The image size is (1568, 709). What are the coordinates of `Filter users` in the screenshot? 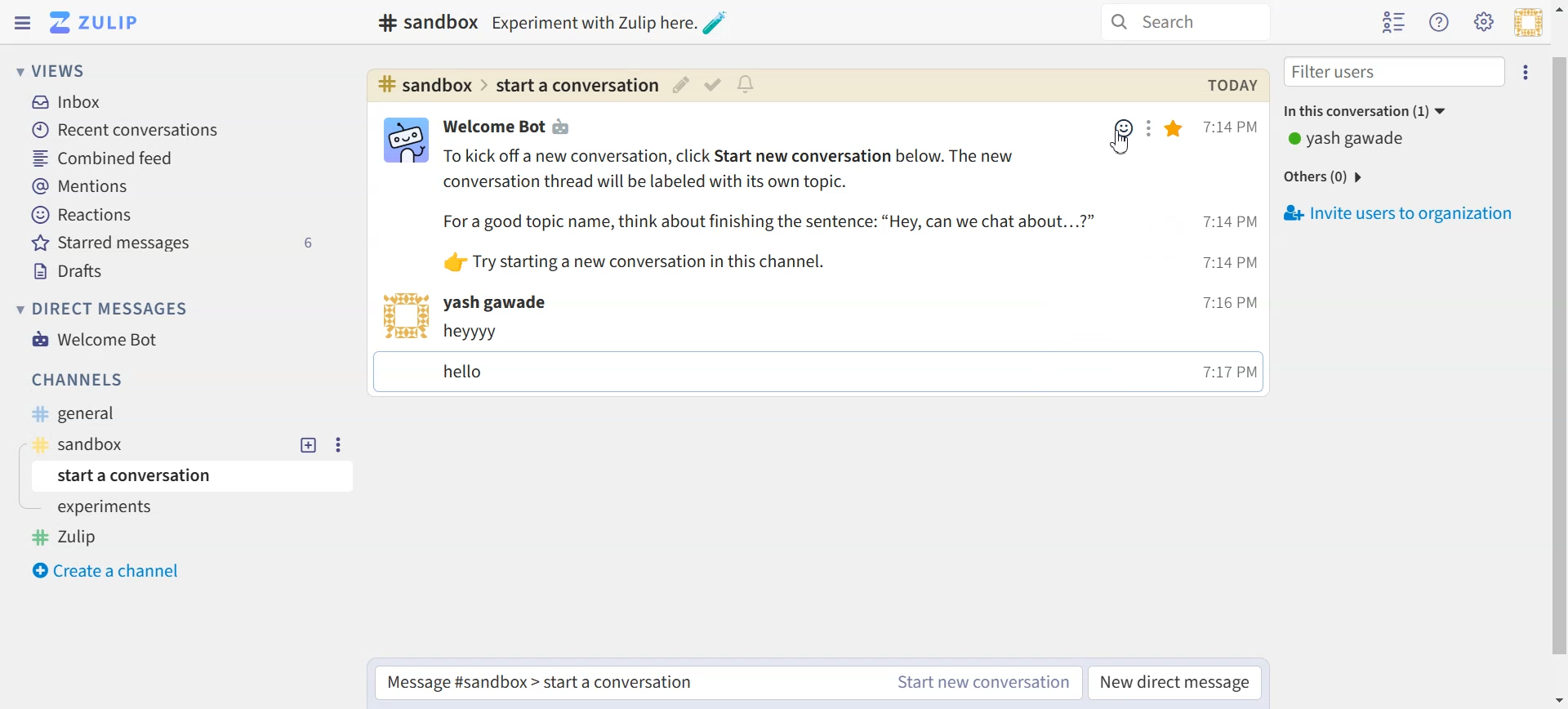 It's located at (1395, 72).